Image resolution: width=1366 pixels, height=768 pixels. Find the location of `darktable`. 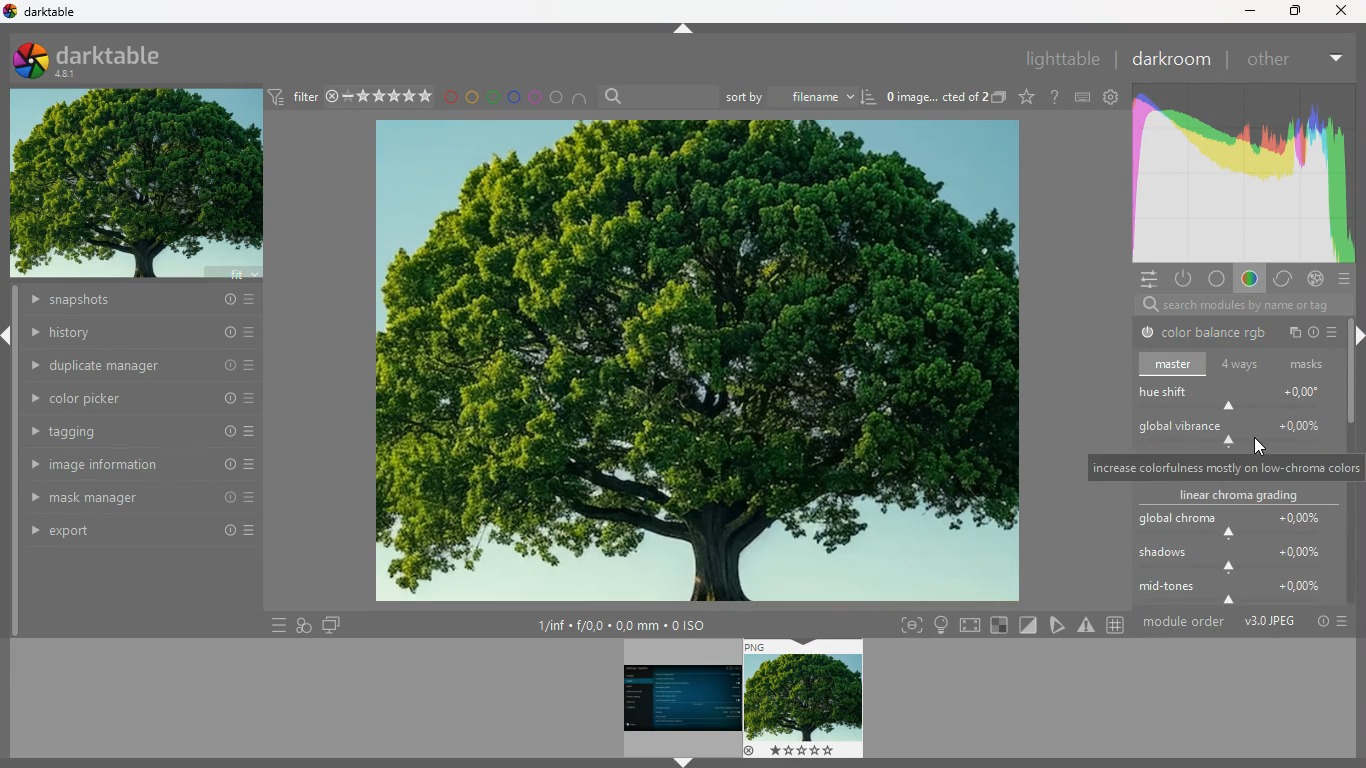

darktable is located at coordinates (49, 11).